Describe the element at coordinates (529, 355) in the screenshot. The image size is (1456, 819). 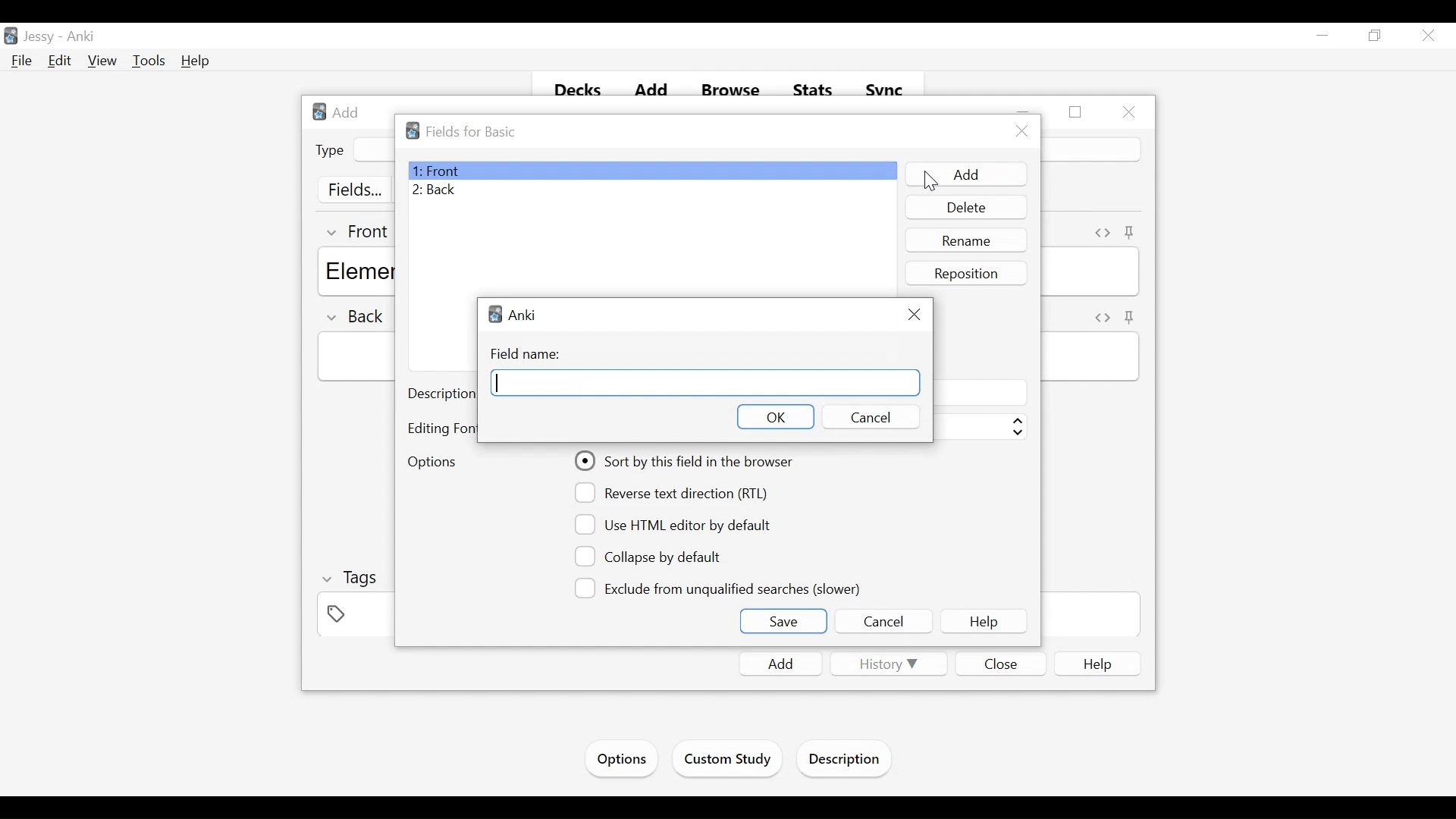
I see `Field Name` at that location.